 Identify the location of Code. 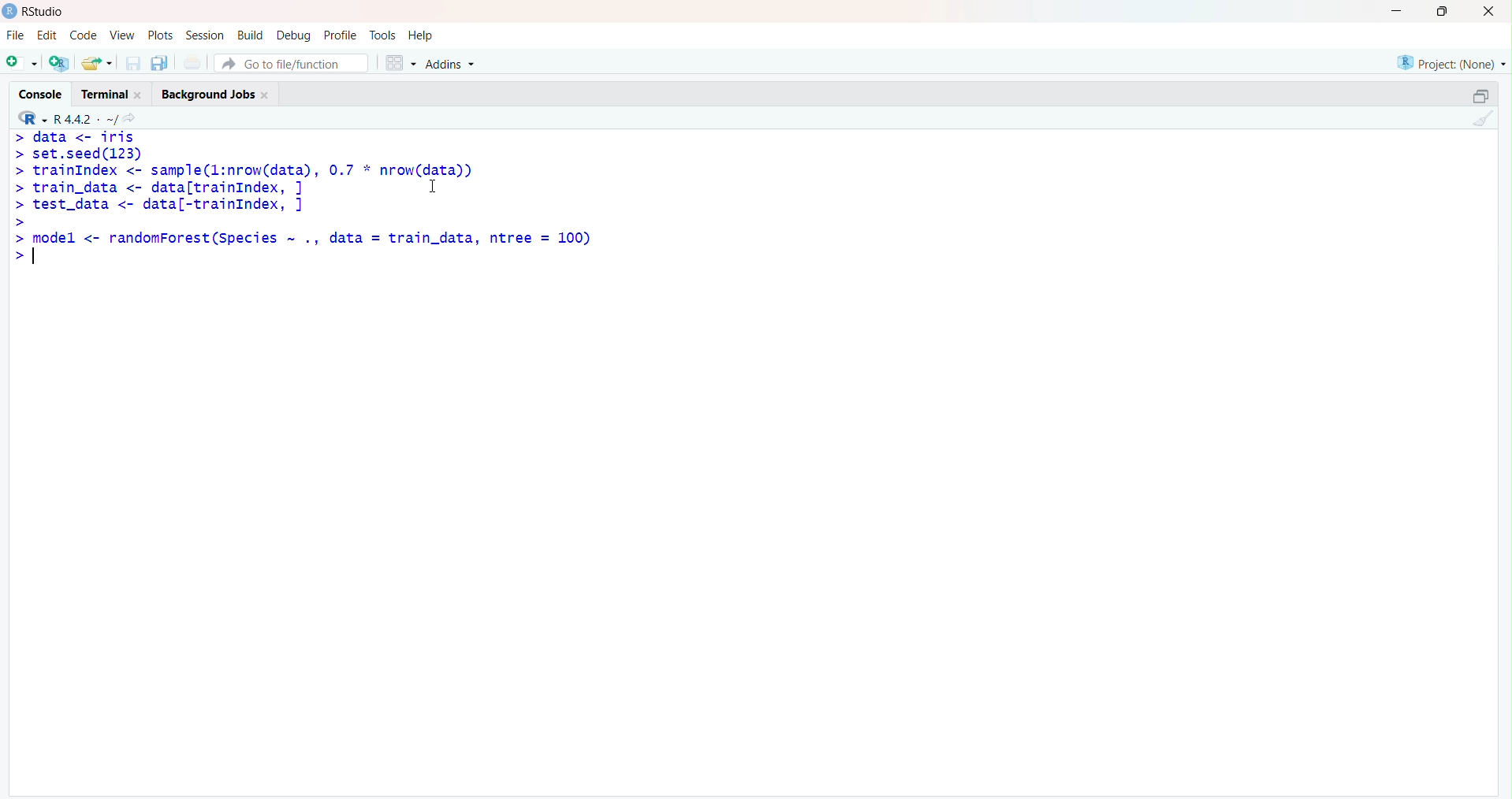
(82, 35).